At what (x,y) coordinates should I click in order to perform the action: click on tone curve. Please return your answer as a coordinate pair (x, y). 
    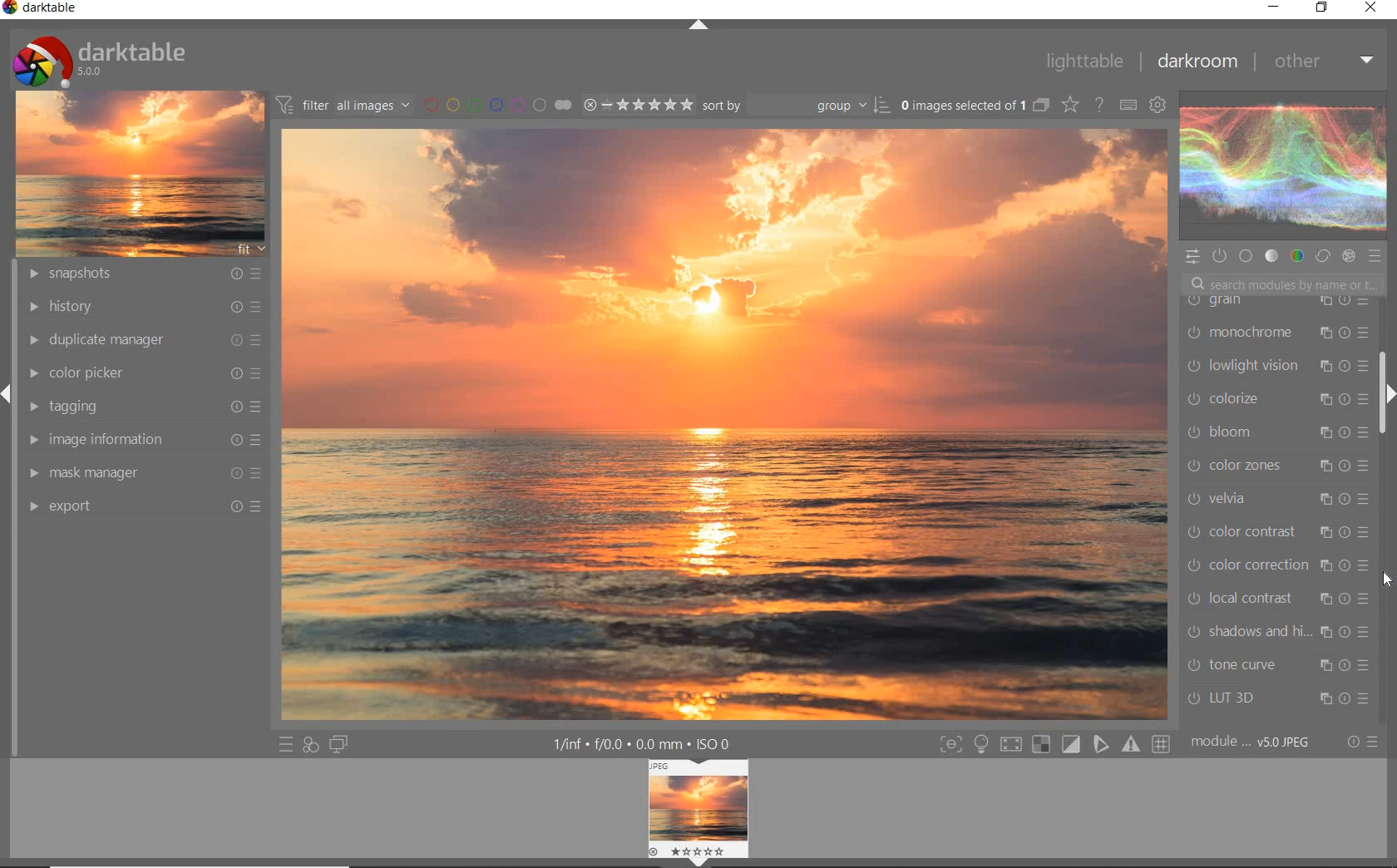
    Looking at the image, I should click on (1278, 665).